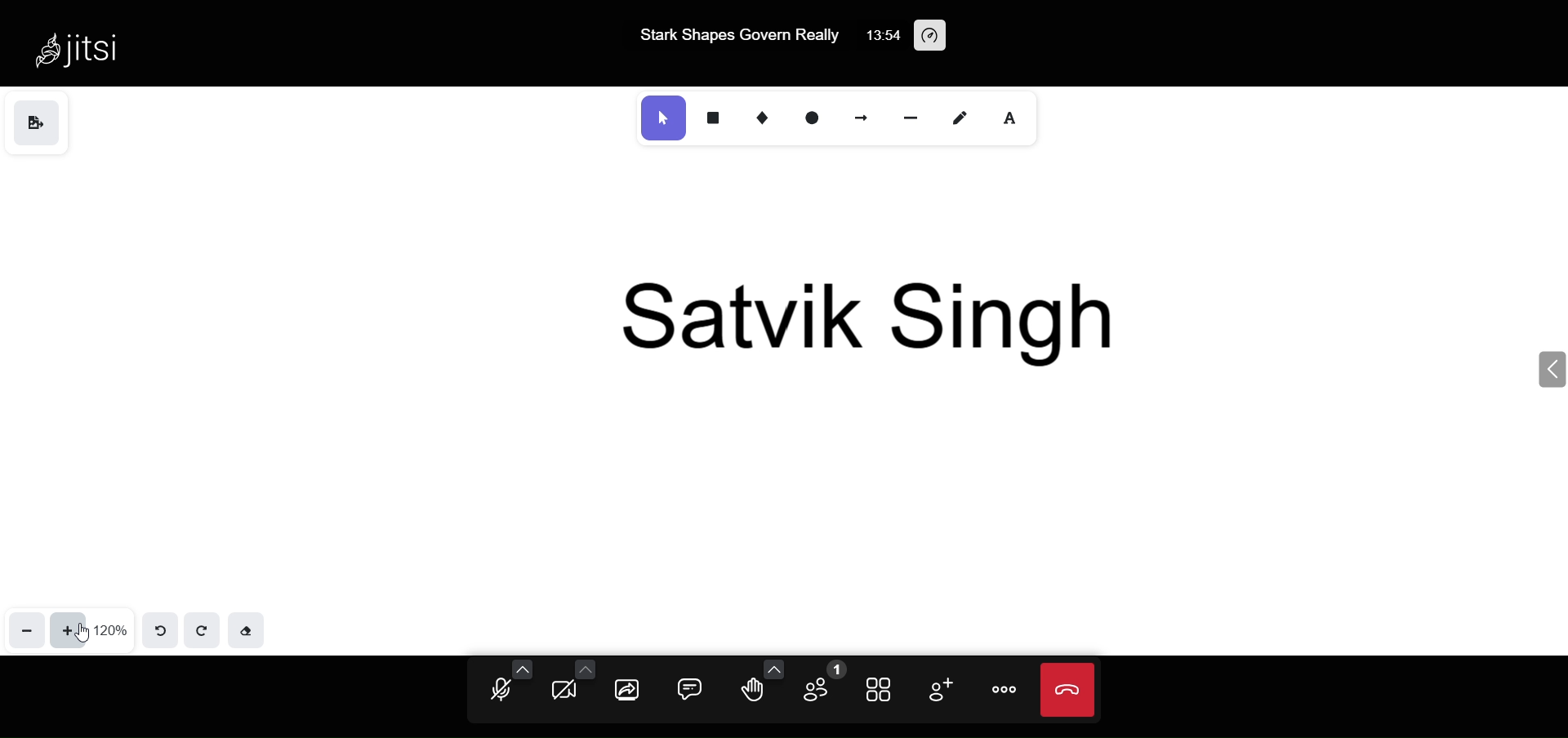 This screenshot has width=1568, height=738. I want to click on more audio option, so click(524, 669).